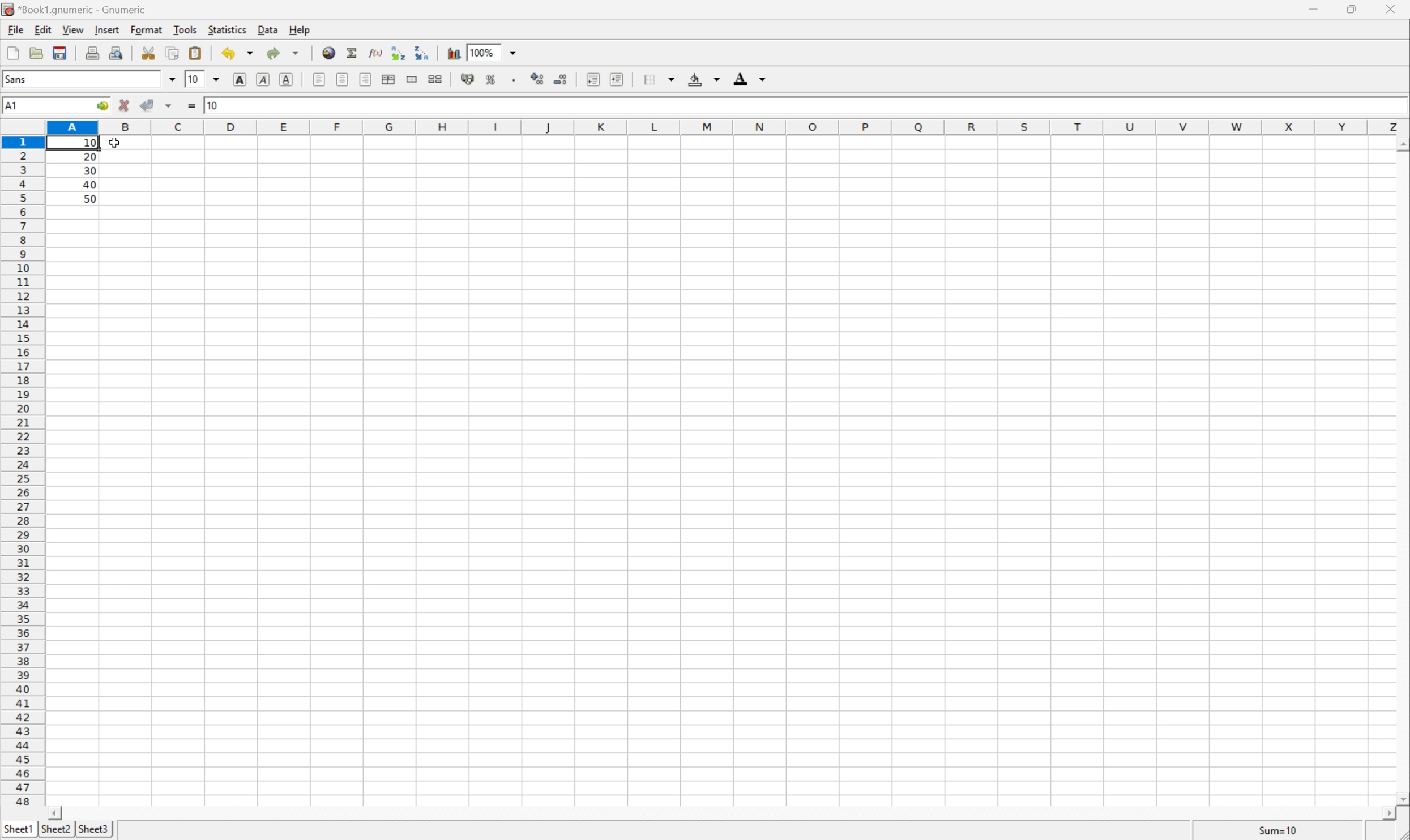 The image size is (1410, 840). Describe the element at coordinates (727, 127) in the screenshot. I see `Column names` at that location.